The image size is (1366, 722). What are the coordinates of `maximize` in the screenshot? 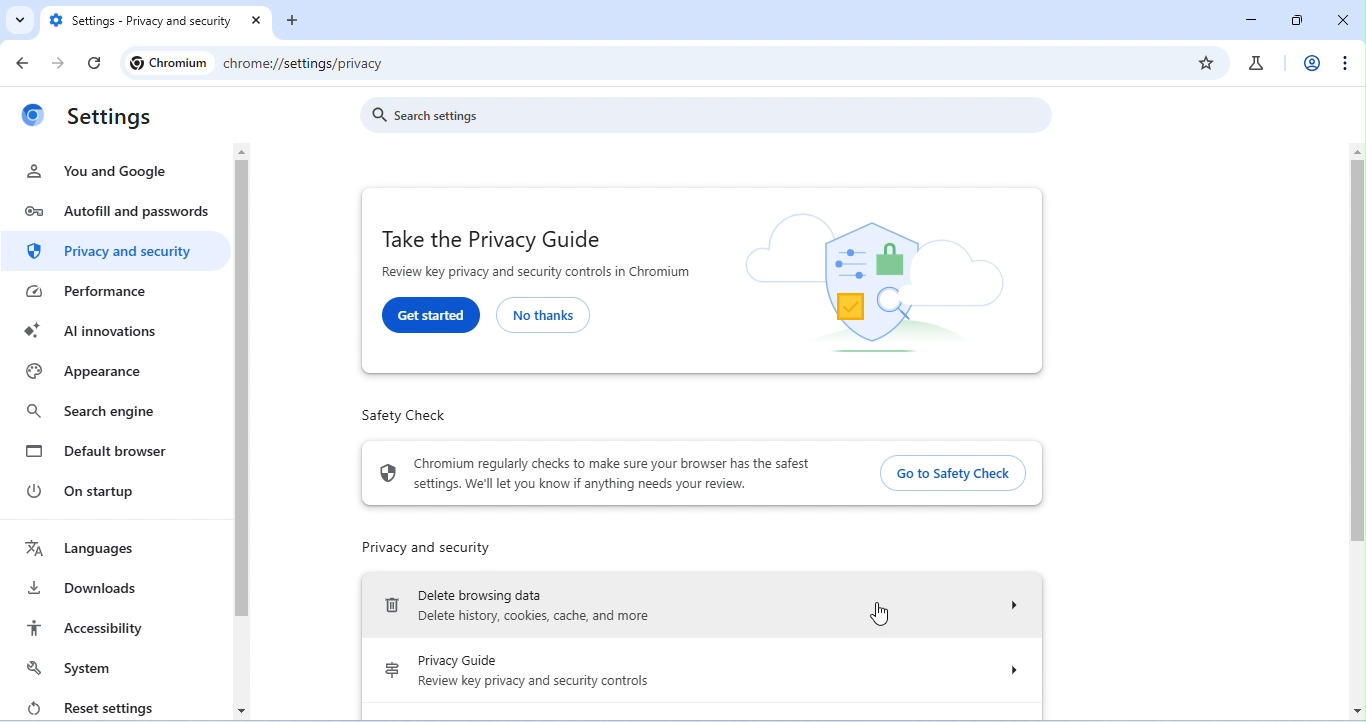 It's located at (1298, 20).